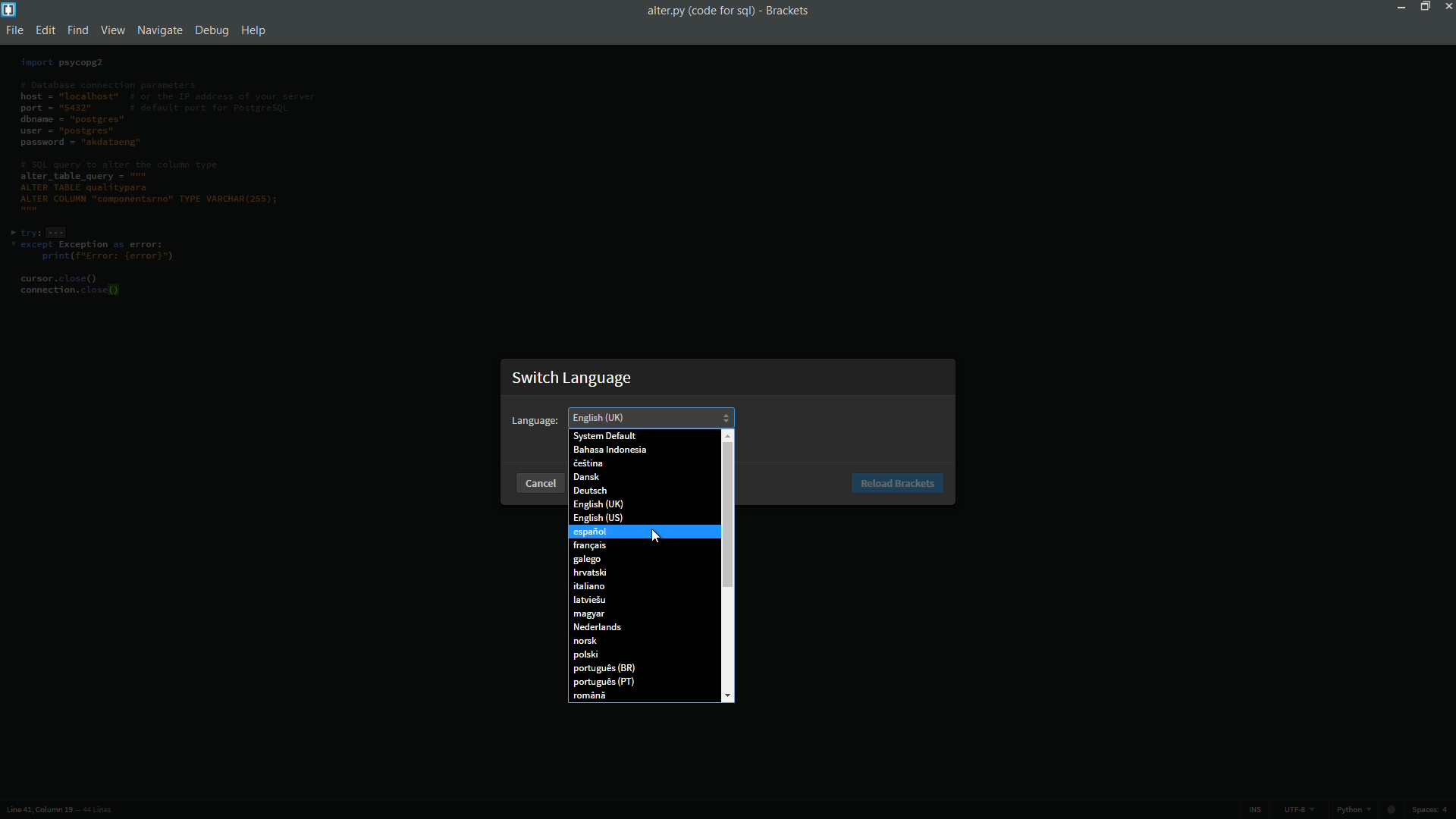 The image size is (1456, 819). What do you see at coordinates (643, 585) in the screenshot?
I see `italiano` at bounding box center [643, 585].